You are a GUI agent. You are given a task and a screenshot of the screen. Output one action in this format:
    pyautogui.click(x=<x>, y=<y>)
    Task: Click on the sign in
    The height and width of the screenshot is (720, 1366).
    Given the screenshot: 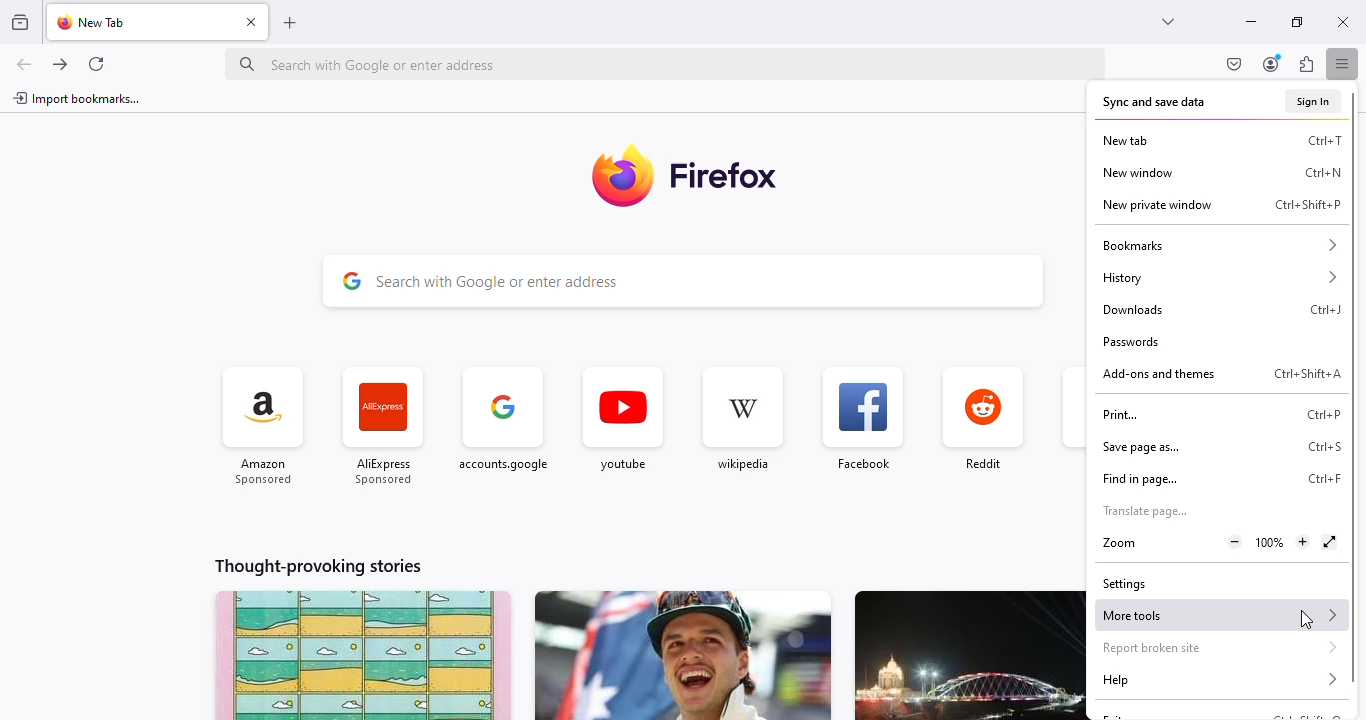 What is the action you would take?
    pyautogui.click(x=1314, y=101)
    